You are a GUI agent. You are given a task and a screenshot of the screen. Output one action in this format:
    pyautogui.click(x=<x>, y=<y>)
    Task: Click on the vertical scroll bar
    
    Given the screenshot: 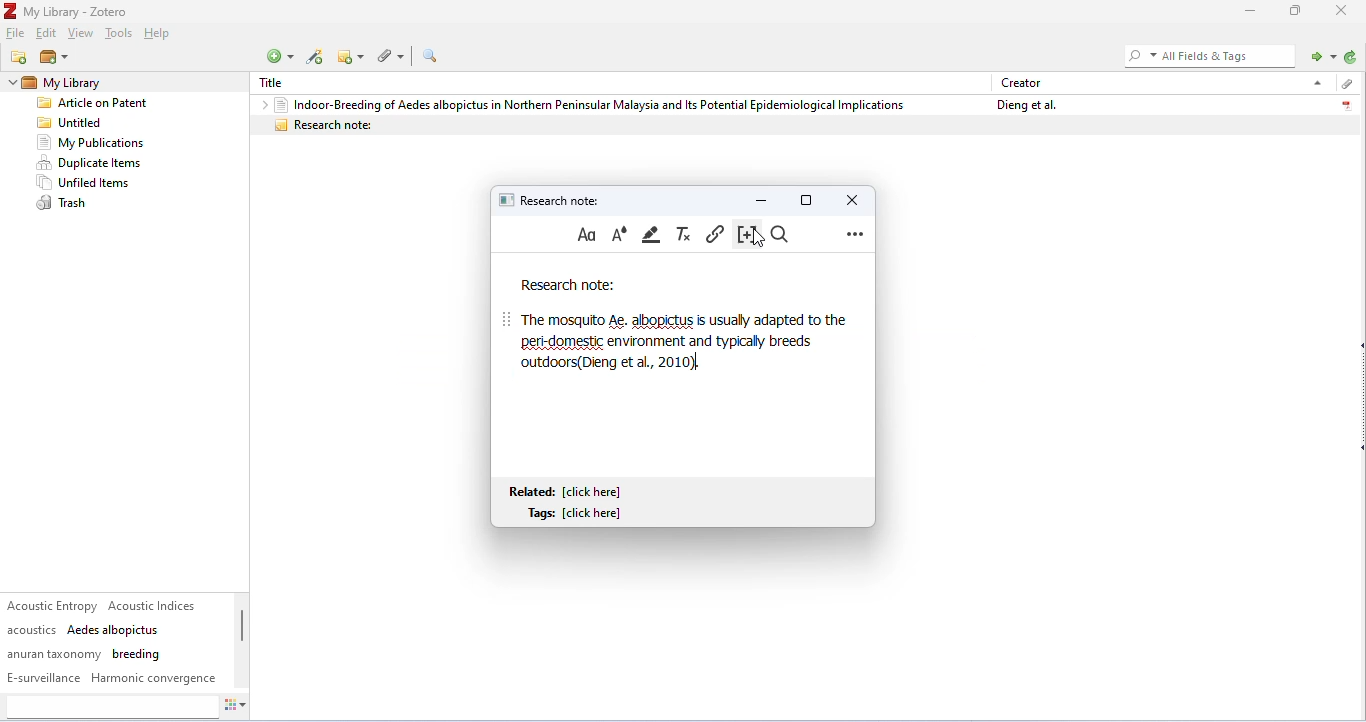 What is the action you would take?
    pyautogui.click(x=242, y=636)
    